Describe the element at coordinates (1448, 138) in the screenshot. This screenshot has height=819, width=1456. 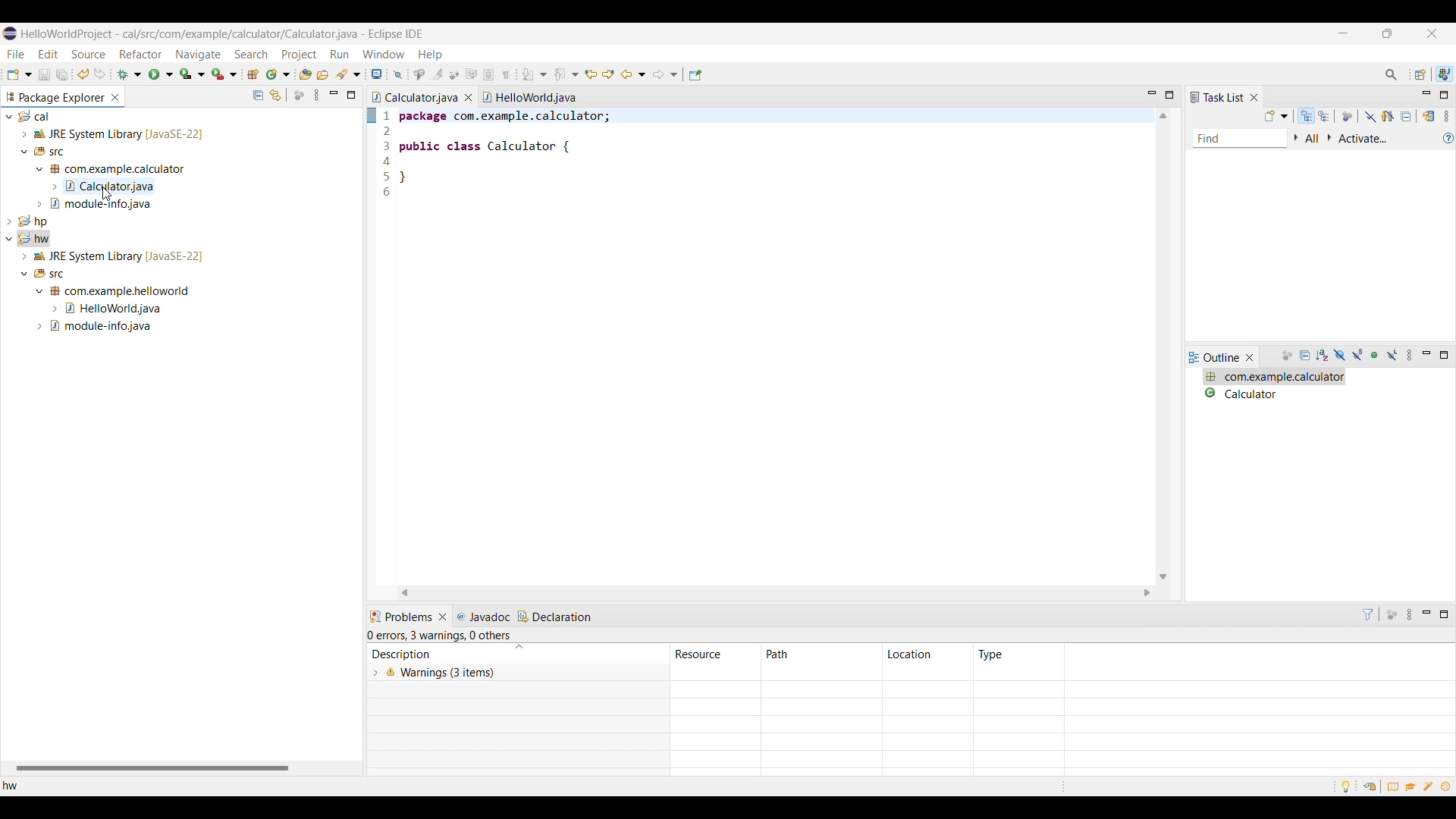
I see `Show tasks UI legend` at that location.